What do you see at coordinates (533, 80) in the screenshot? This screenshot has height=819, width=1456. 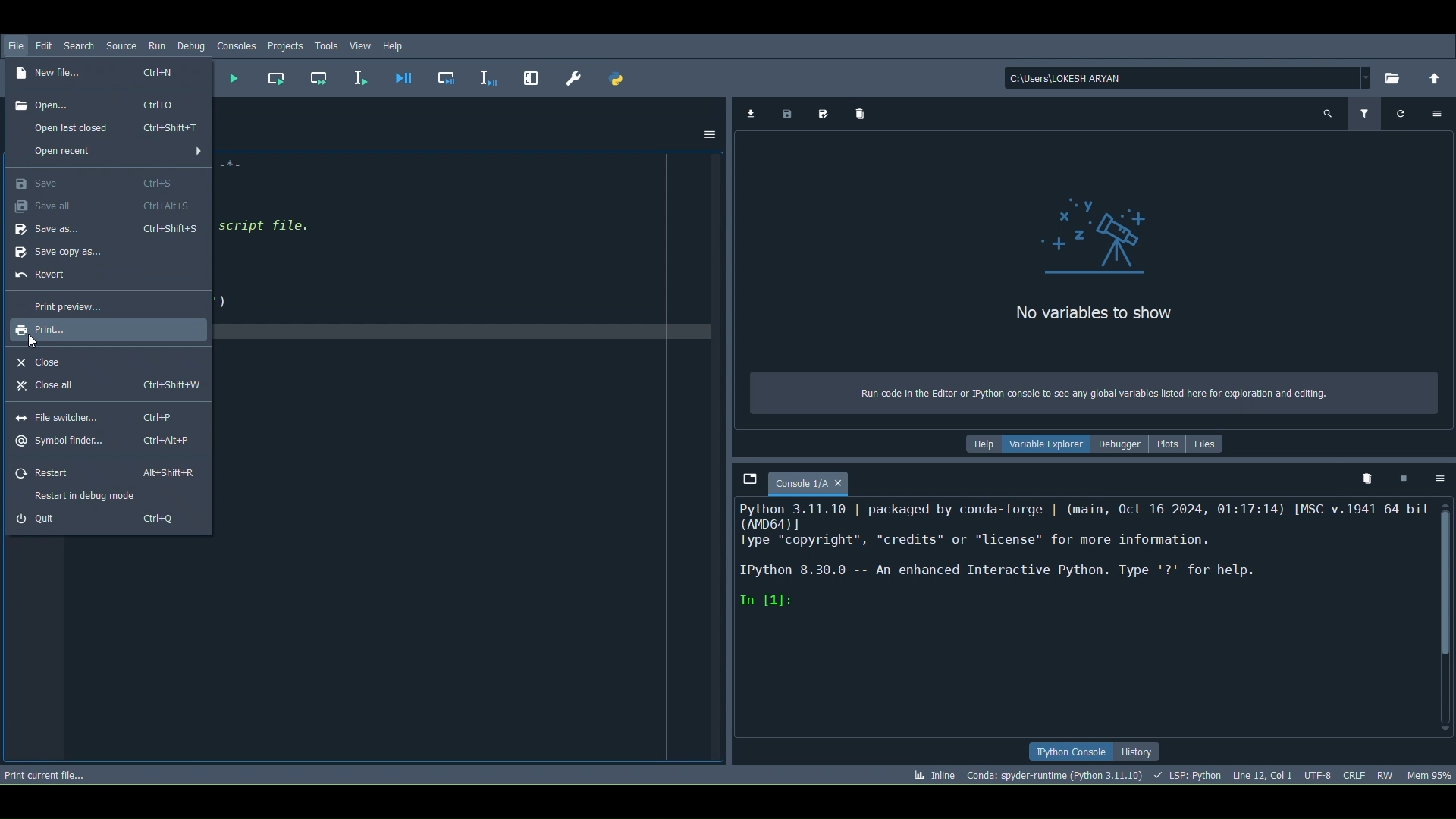 I see `Maximize current pane (Ctrl + Alt + Shift + M)` at bounding box center [533, 80].